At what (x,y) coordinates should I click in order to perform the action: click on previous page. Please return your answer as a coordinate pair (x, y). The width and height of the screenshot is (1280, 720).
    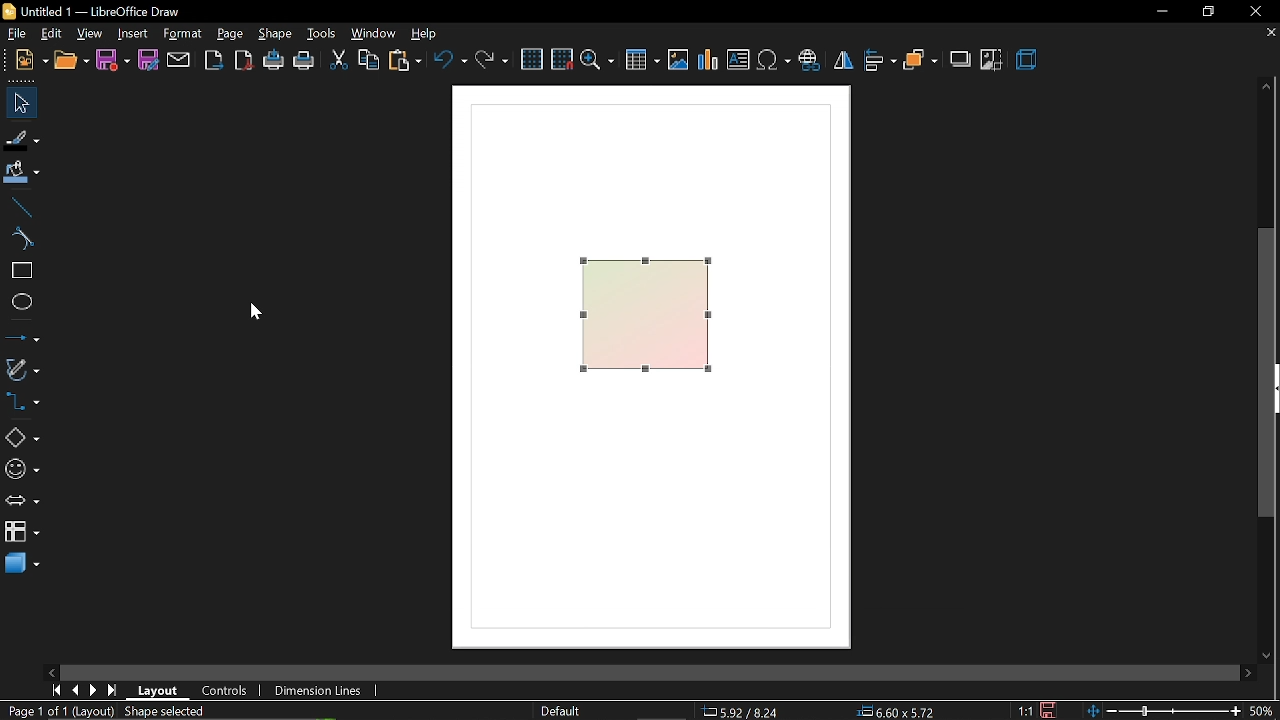
    Looking at the image, I should click on (75, 689).